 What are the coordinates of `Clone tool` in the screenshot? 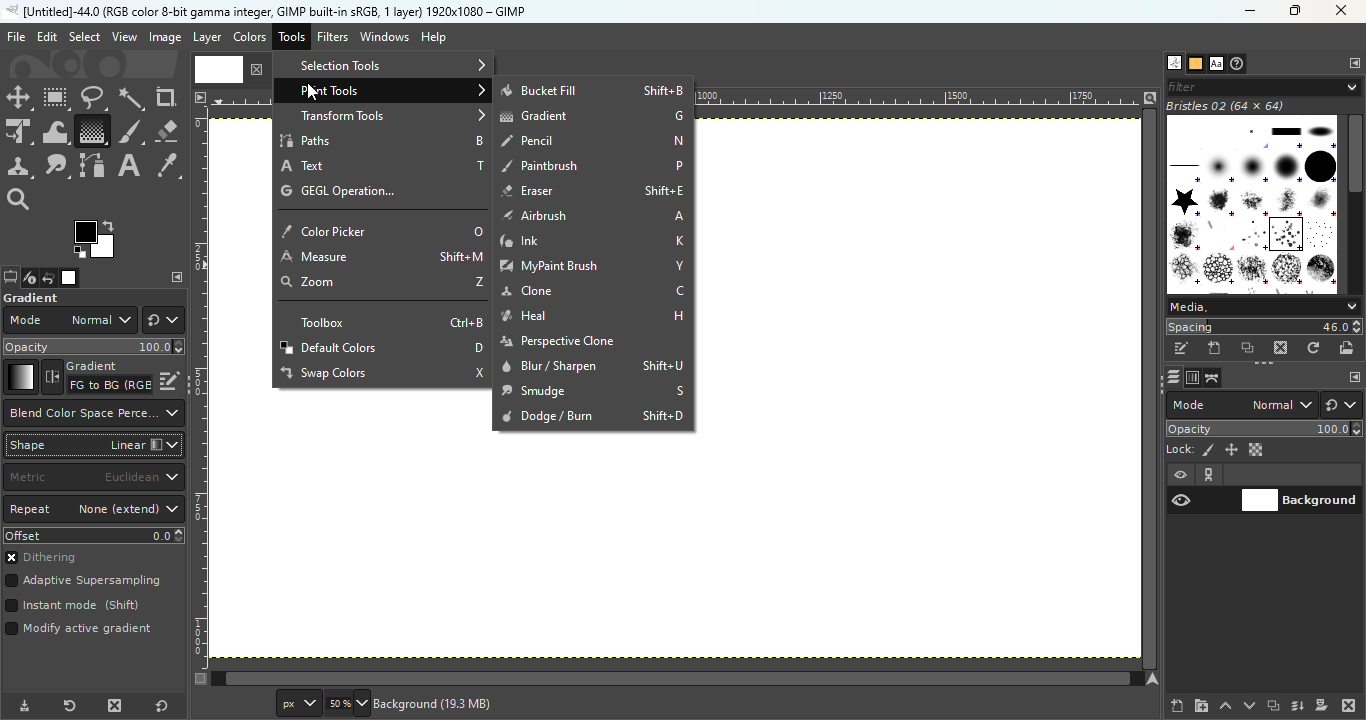 It's located at (19, 167).